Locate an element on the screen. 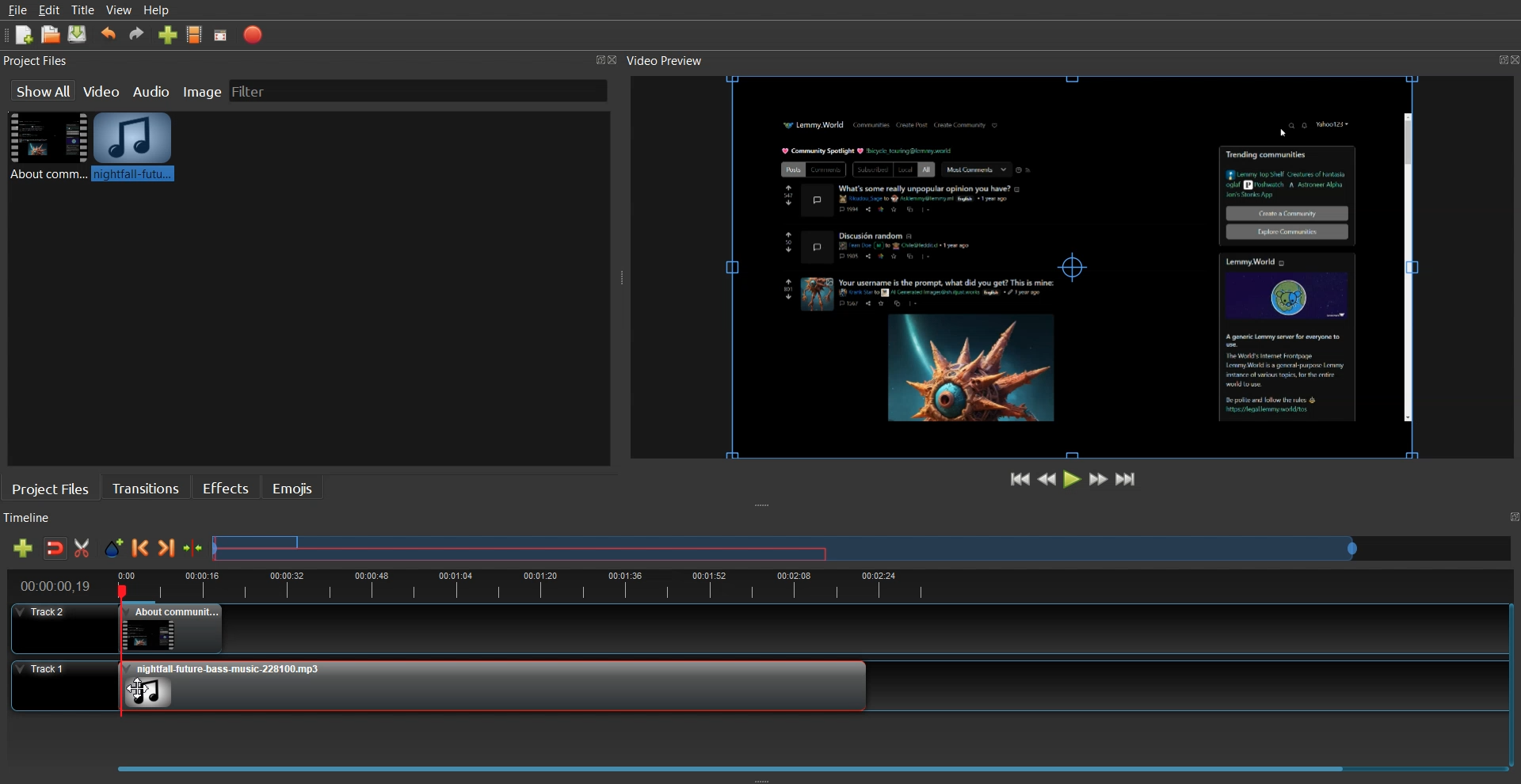  Scrollbar is located at coordinates (1406, 268).